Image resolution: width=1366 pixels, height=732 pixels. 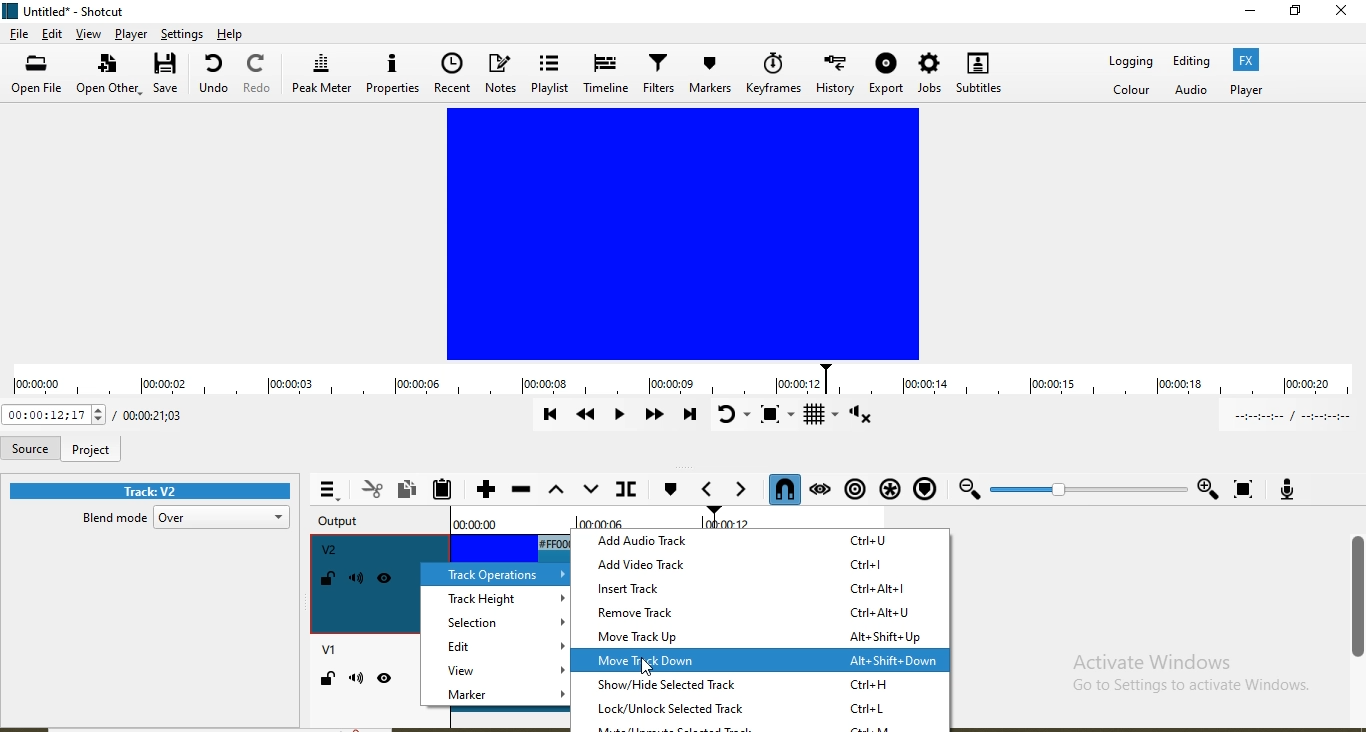 I want to click on Append, so click(x=486, y=489).